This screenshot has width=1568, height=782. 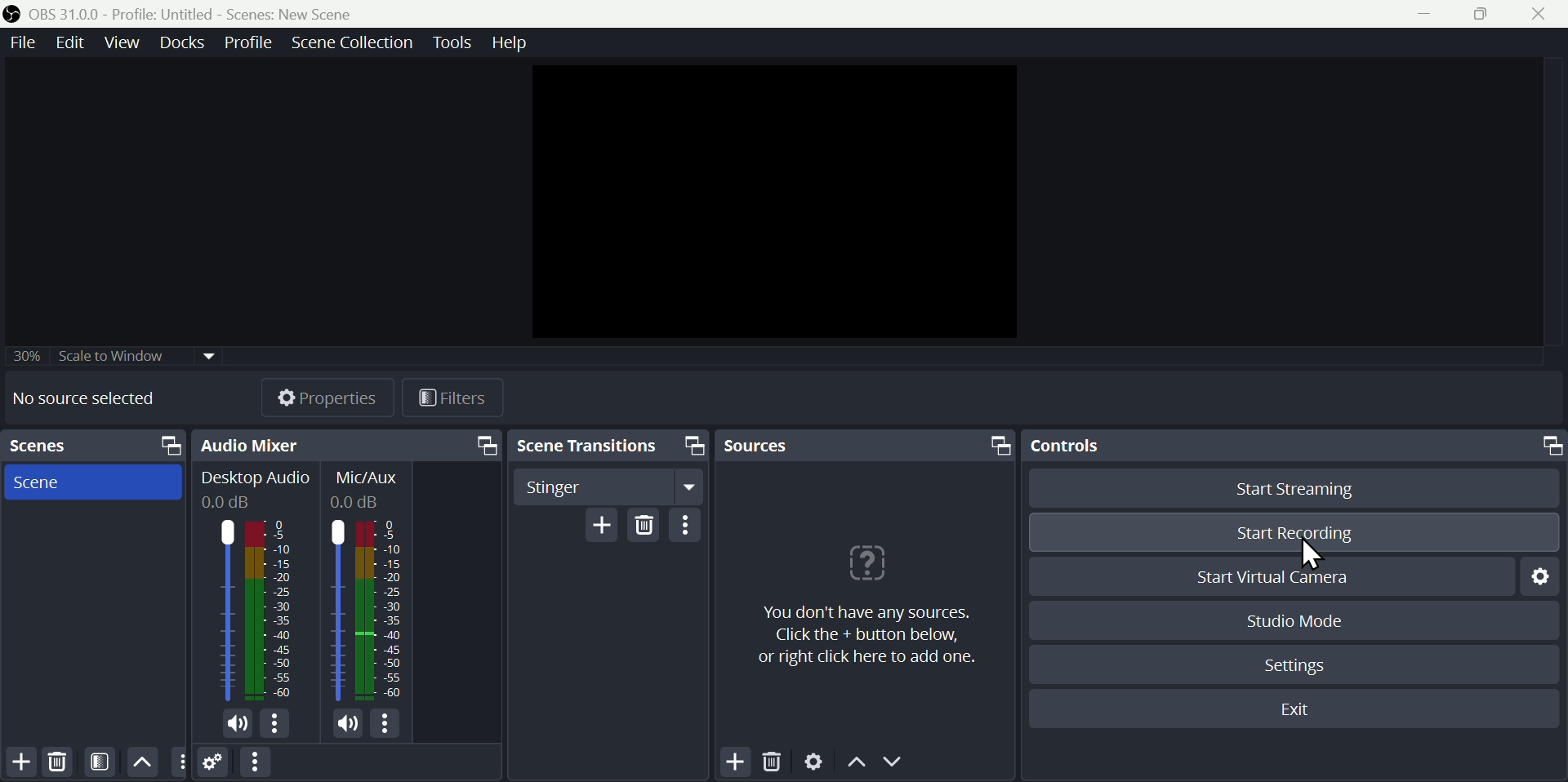 What do you see at coordinates (1069, 447) in the screenshot?
I see `Controls` at bounding box center [1069, 447].